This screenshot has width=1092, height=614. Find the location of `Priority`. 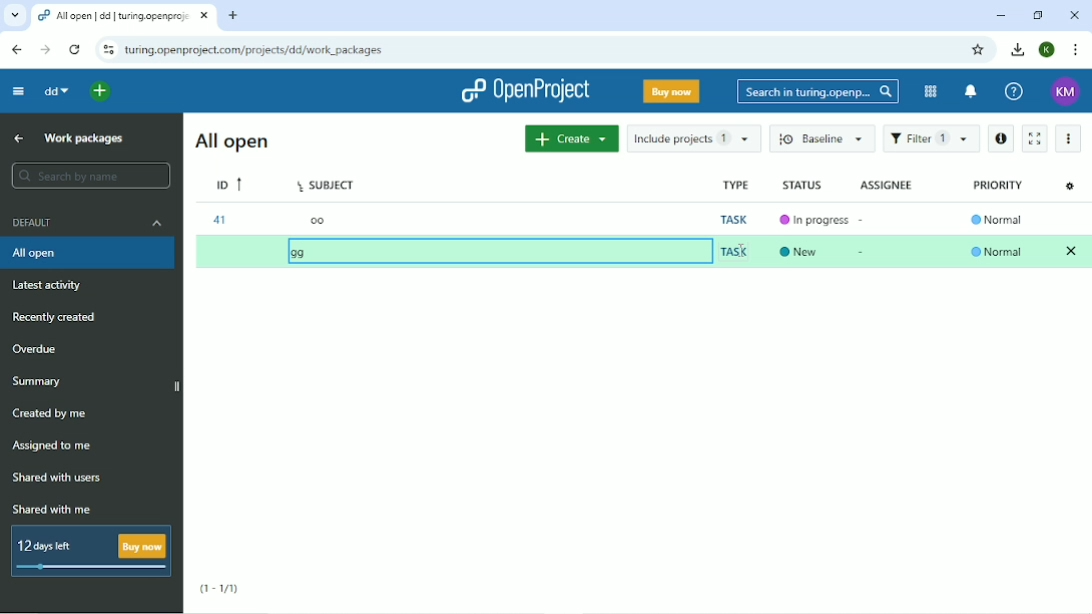

Priority is located at coordinates (999, 185).